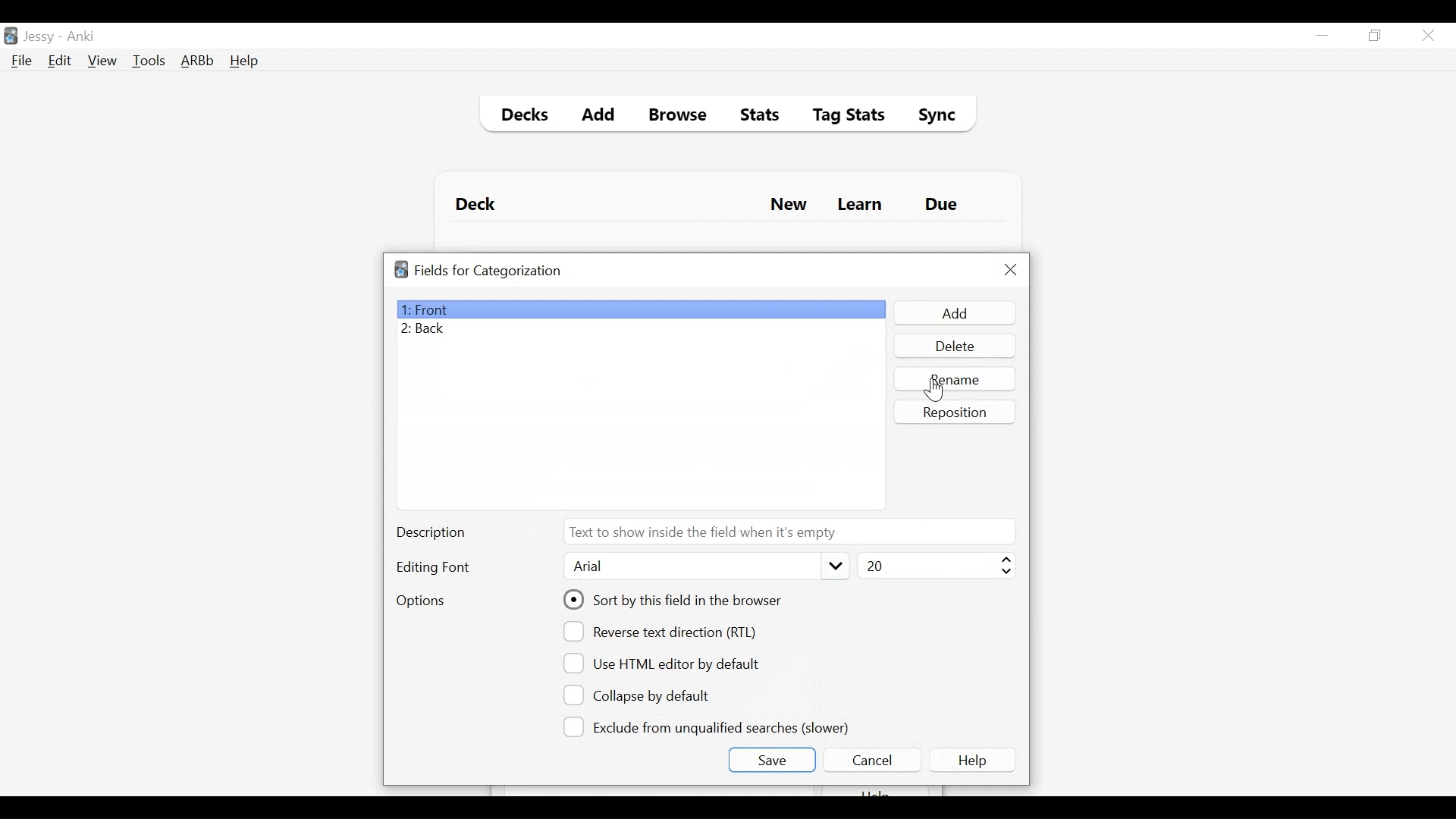 This screenshot has width=1456, height=819. I want to click on Restore, so click(1376, 36).